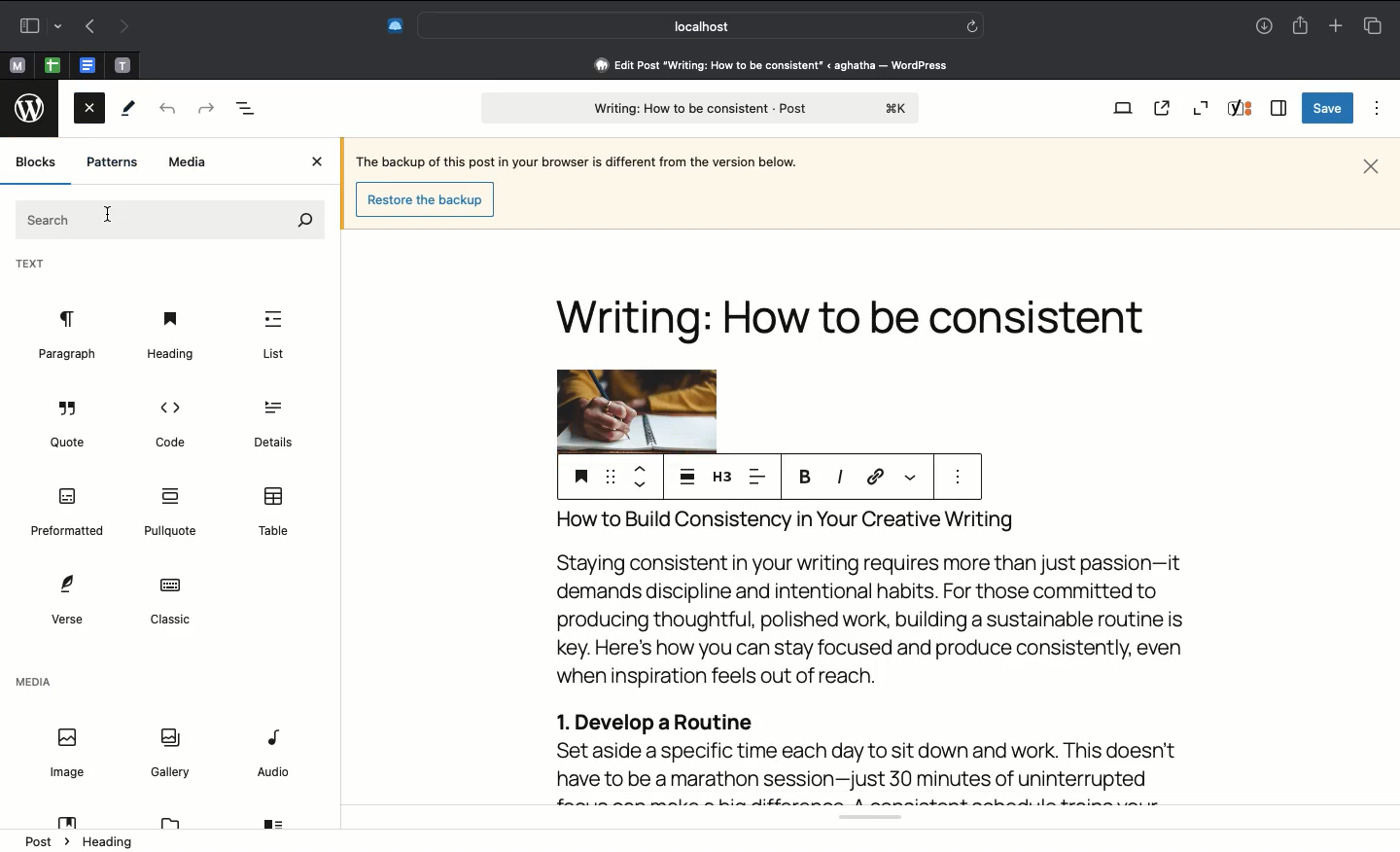  I want to click on Save, so click(1327, 108).